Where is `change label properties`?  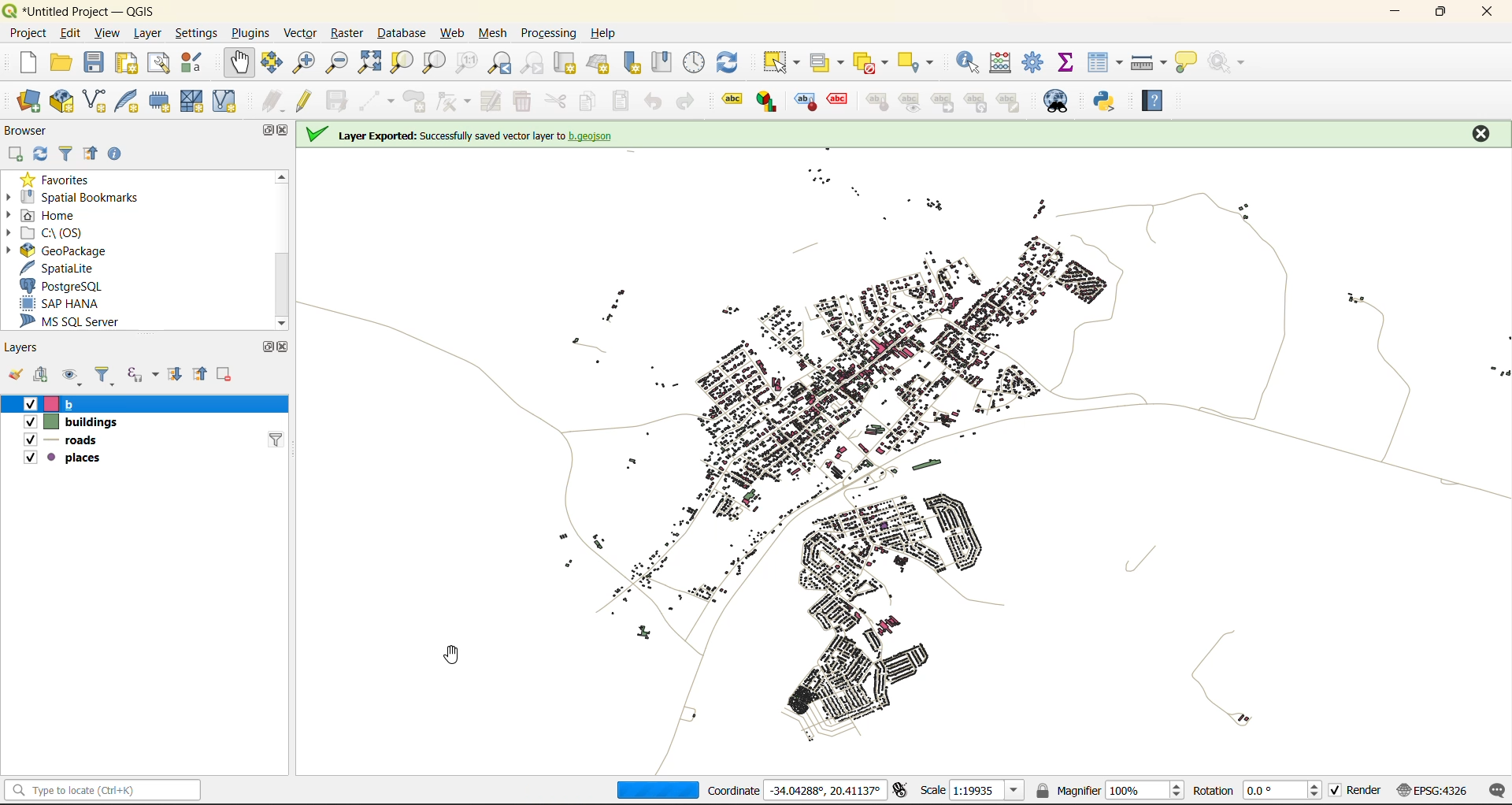
change label properties is located at coordinates (1008, 102).